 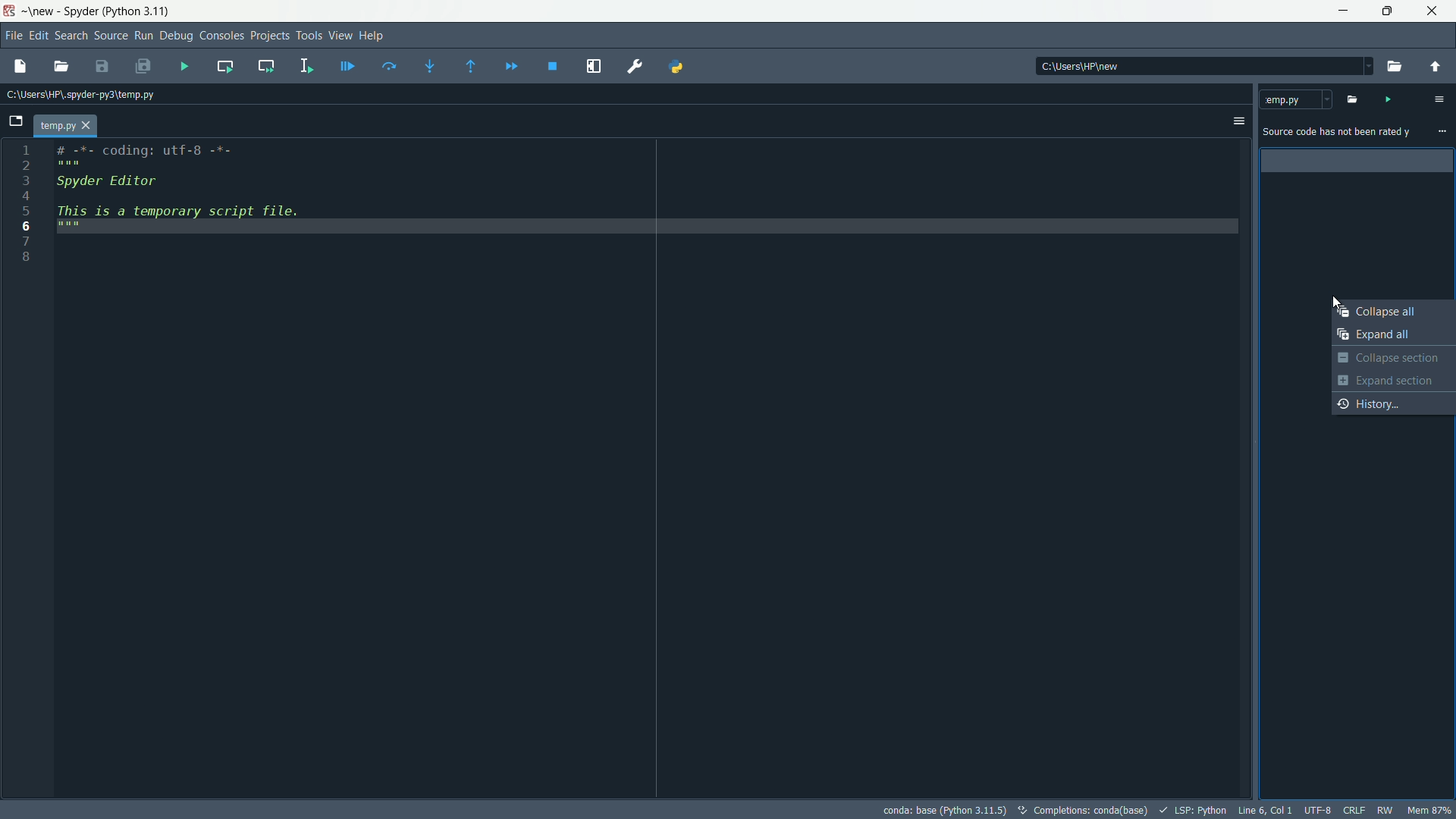 What do you see at coordinates (71, 38) in the screenshot?
I see `search menu` at bounding box center [71, 38].